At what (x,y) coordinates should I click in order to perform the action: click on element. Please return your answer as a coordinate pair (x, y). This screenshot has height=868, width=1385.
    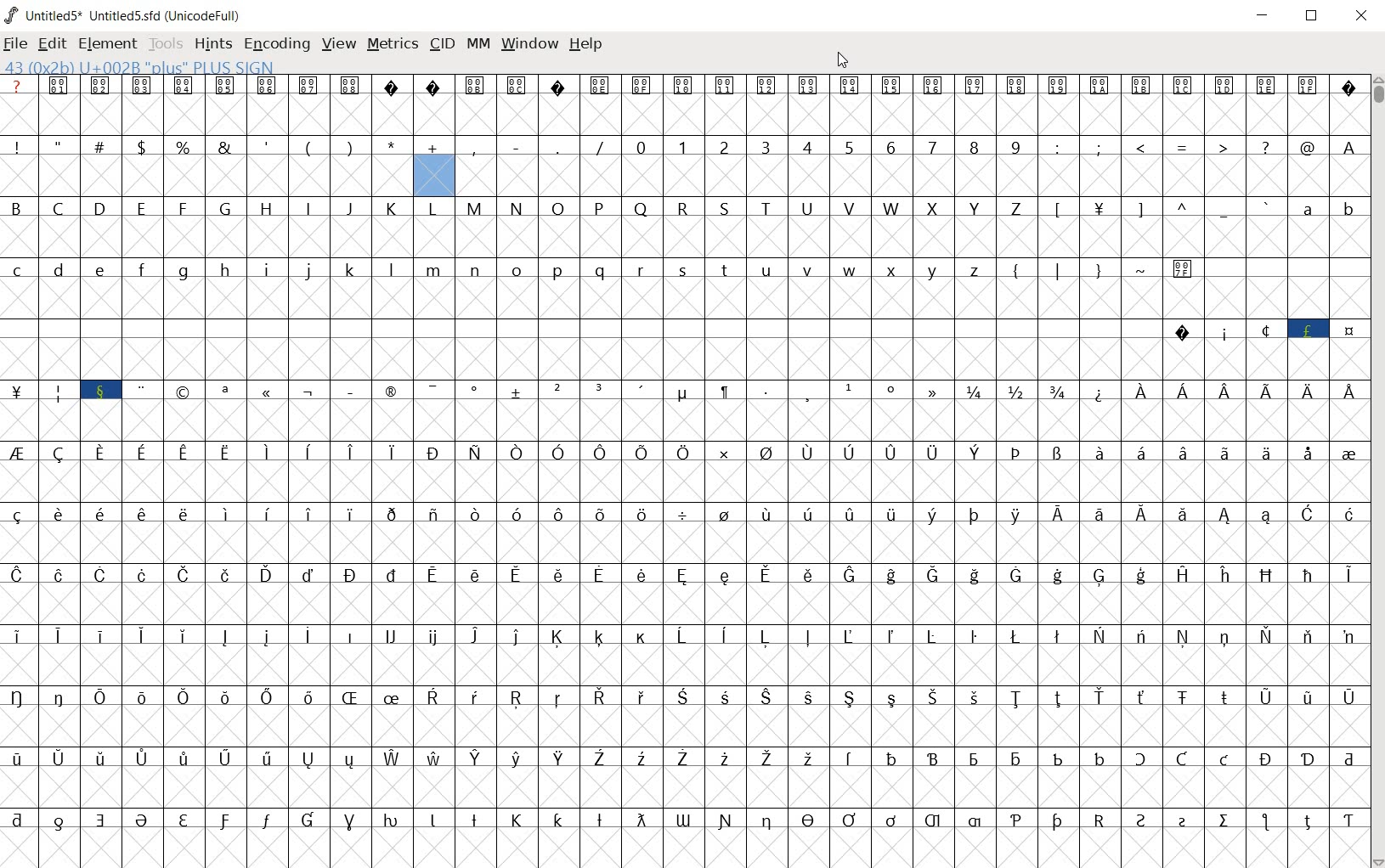
    Looking at the image, I should click on (105, 41).